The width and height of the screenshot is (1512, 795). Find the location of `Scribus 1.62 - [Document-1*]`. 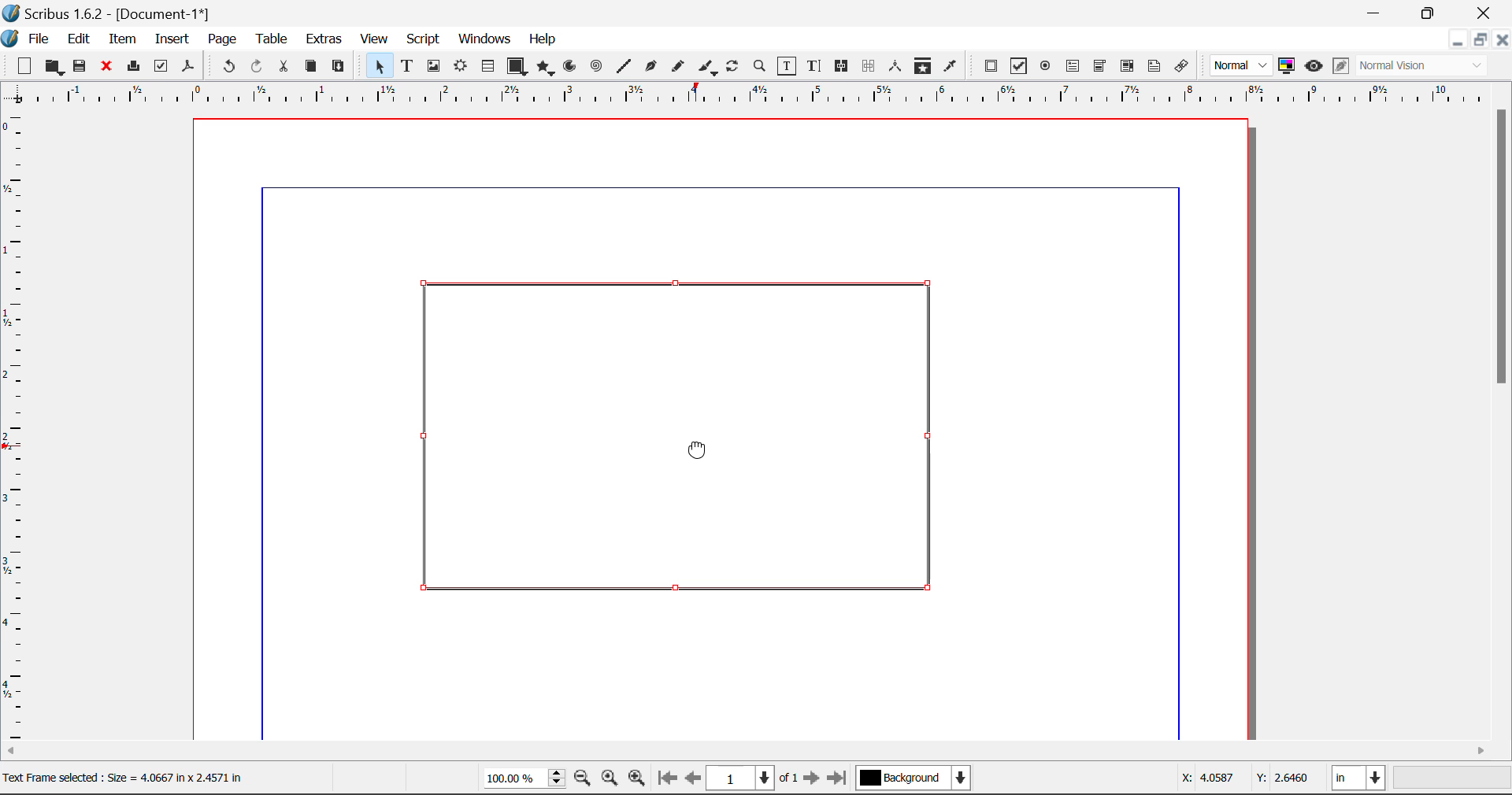

Scribus 1.62 - [Document-1*] is located at coordinates (113, 11).